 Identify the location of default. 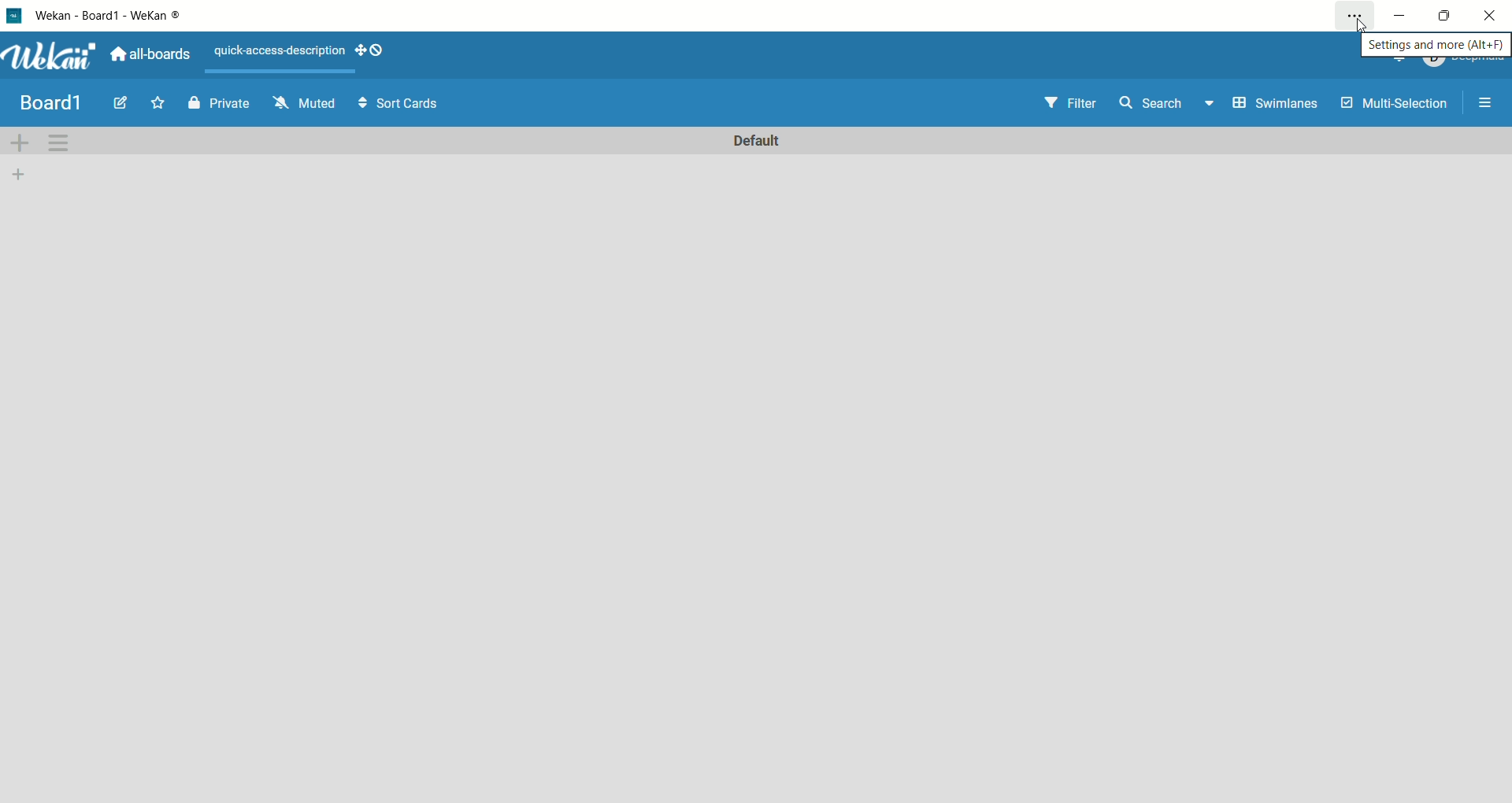
(759, 141).